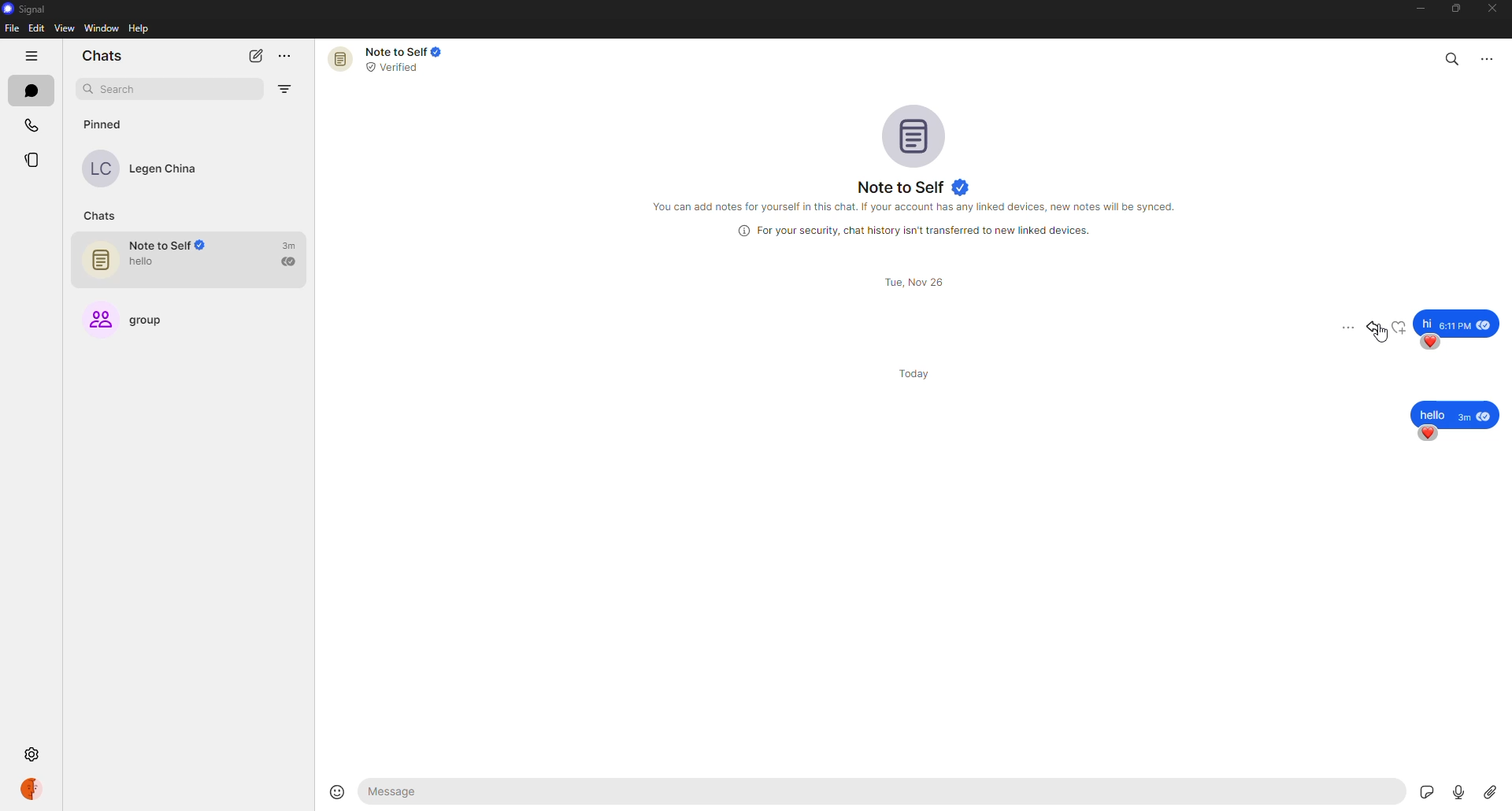  Describe the element at coordinates (914, 184) in the screenshot. I see `note to self` at that location.